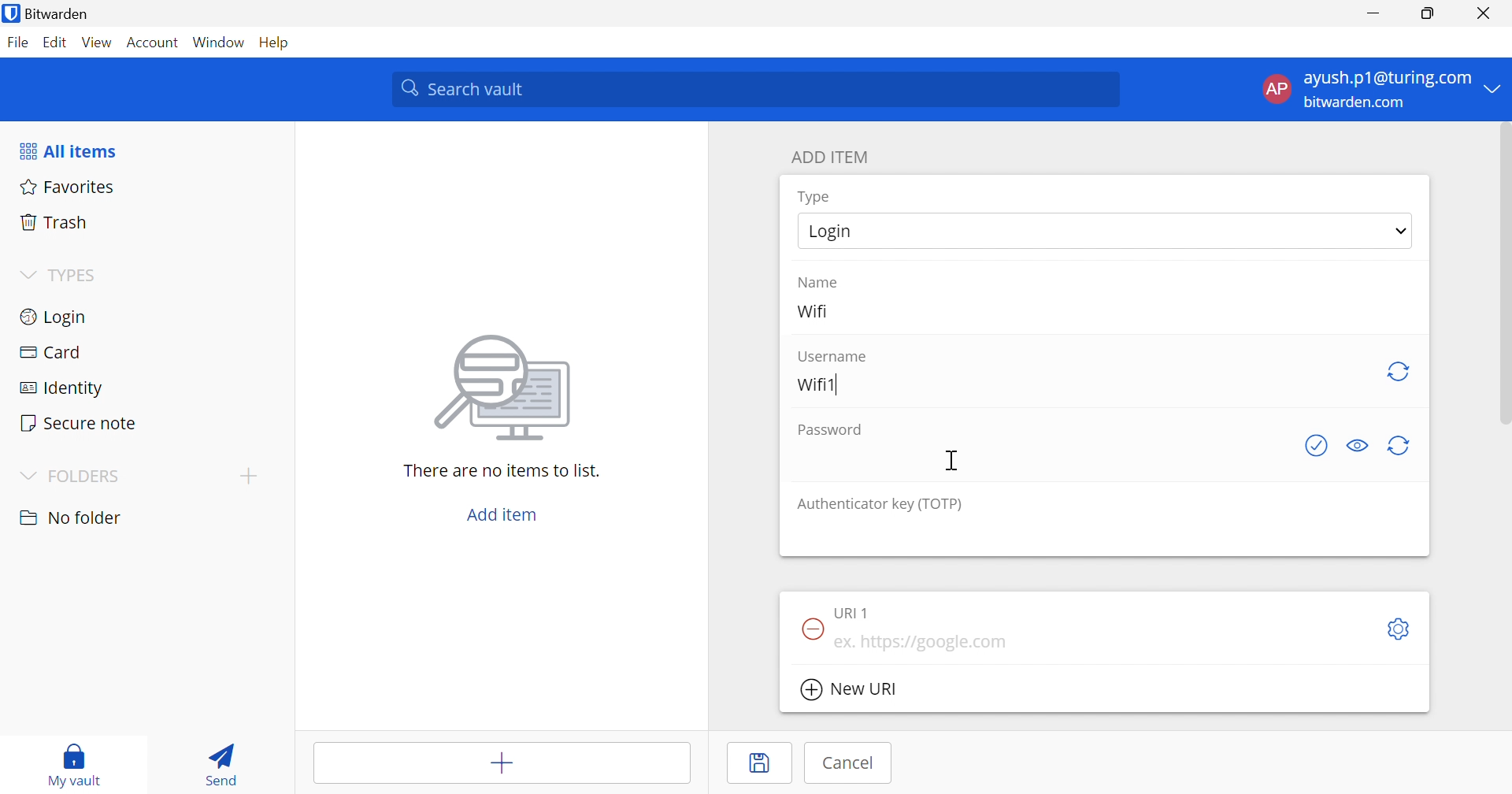 The image size is (1512, 794). I want to click on nO FOLDER, so click(70, 518).